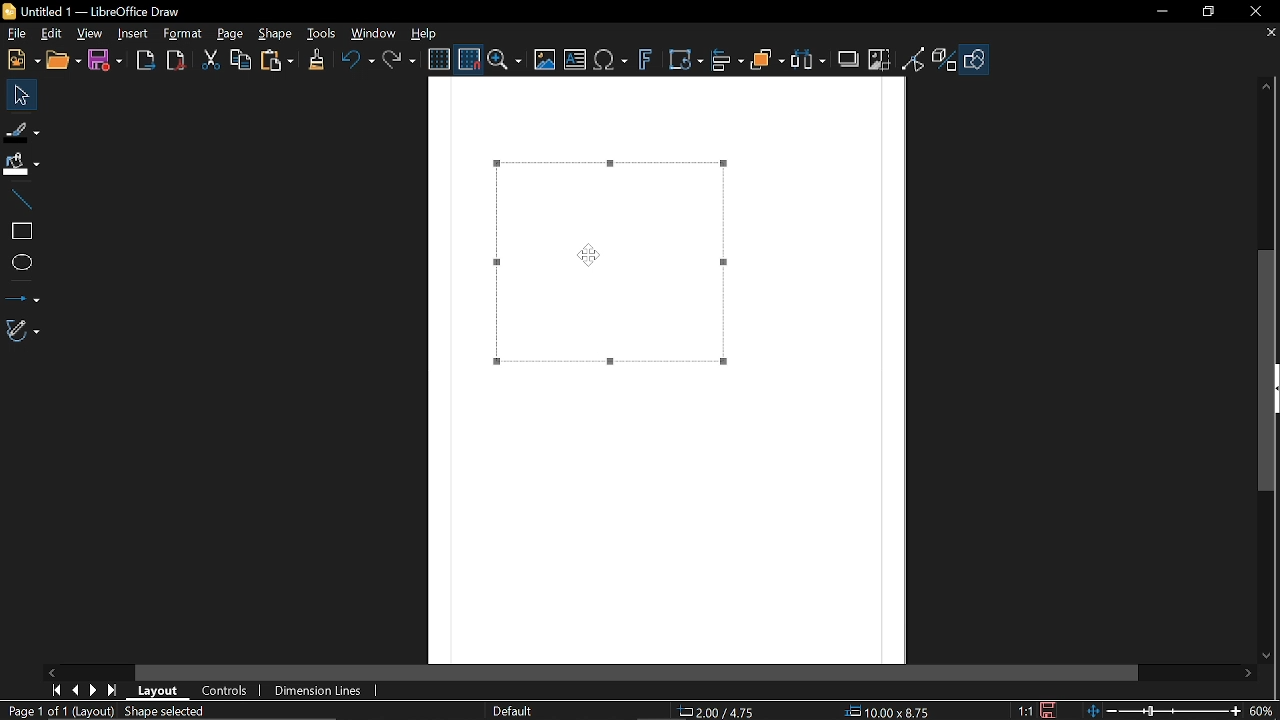 Image resolution: width=1280 pixels, height=720 pixels. I want to click on Shape, so click(275, 35).